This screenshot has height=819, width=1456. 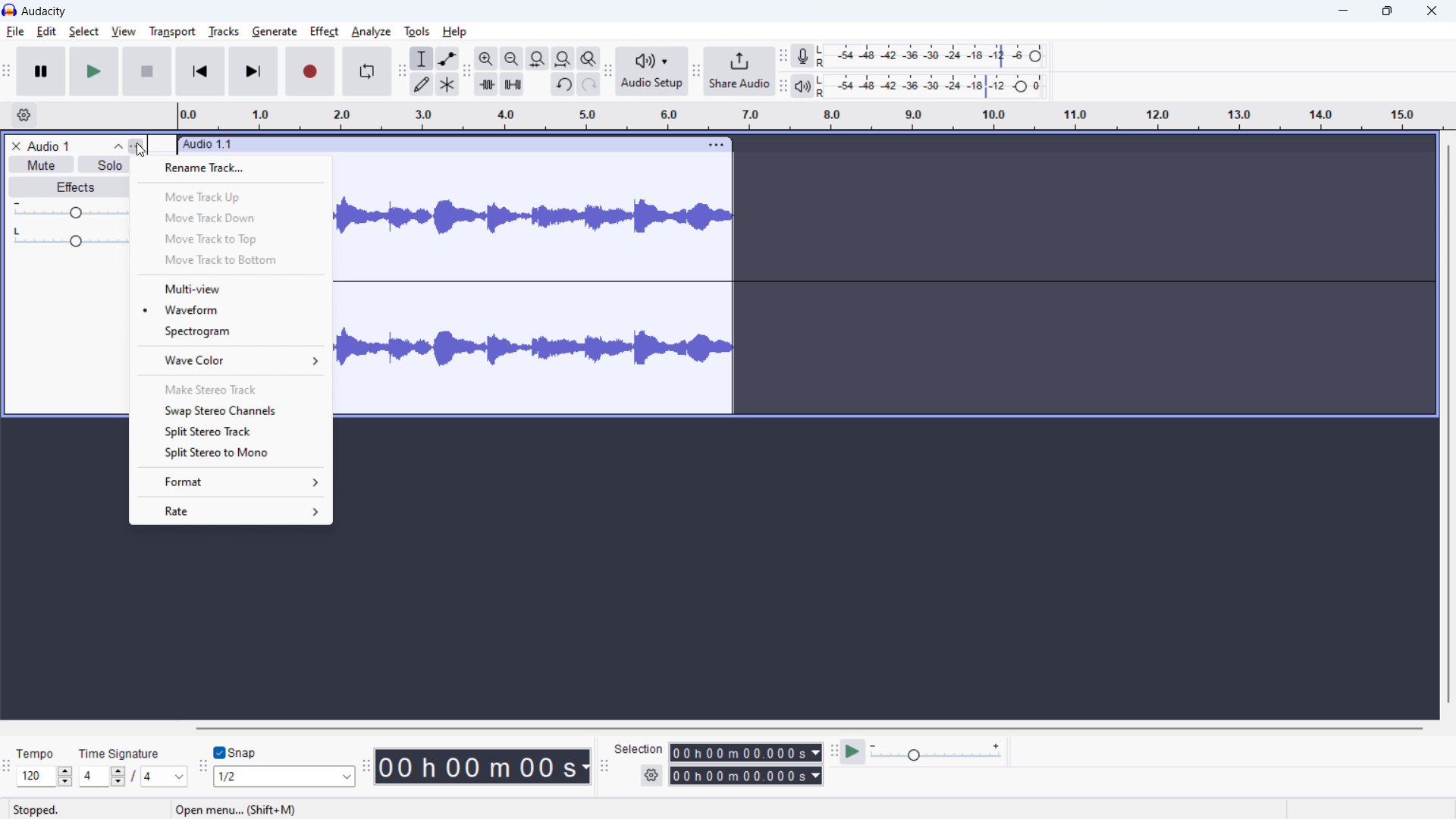 I want to click on edit toolbar, so click(x=468, y=71).